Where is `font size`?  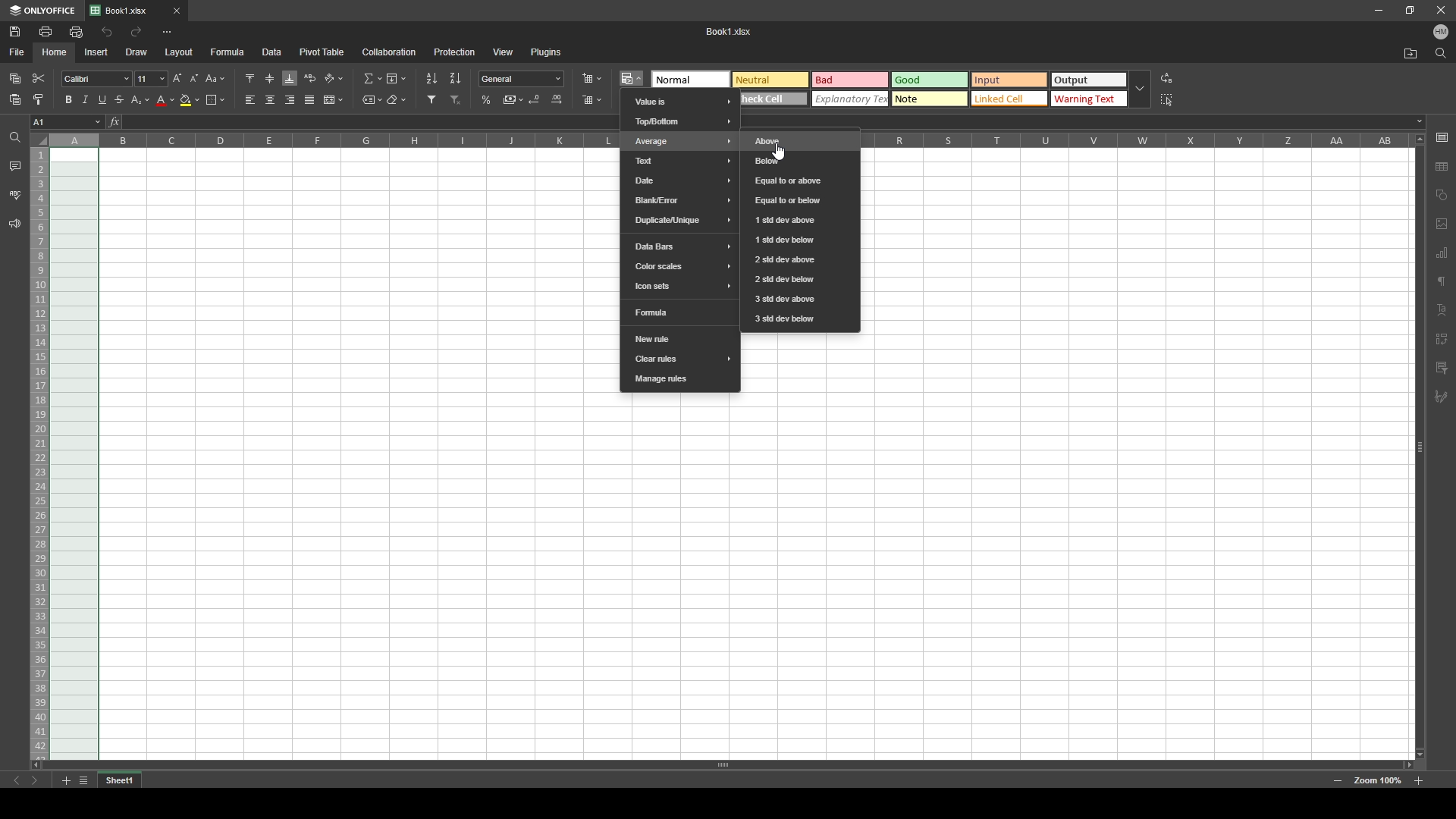
font size is located at coordinates (151, 79).